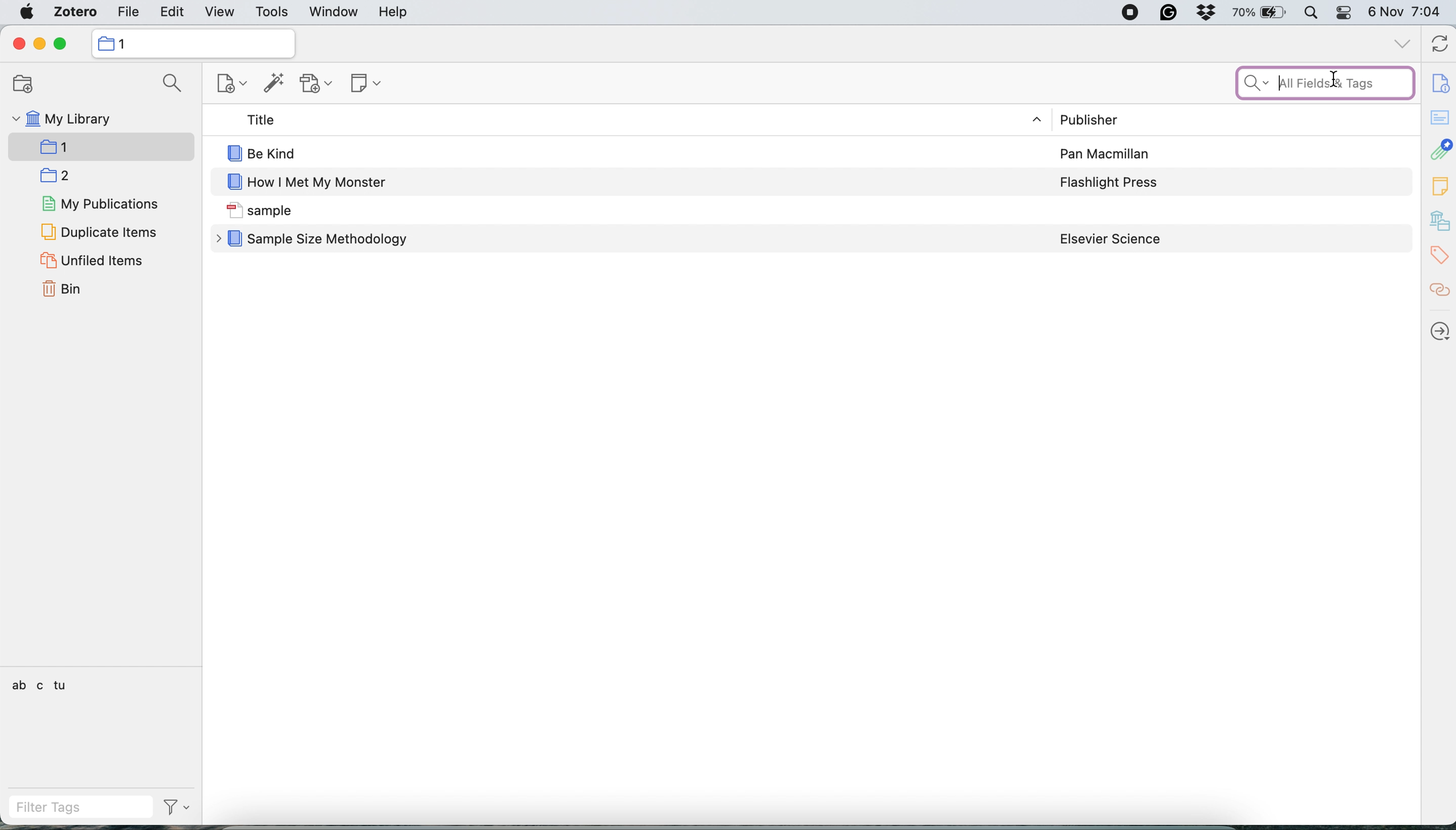 Image resolution: width=1456 pixels, height=830 pixels. What do you see at coordinates (320, 184) in the screenshot?
I see `How | Met My Monster` at bounding box center [320, 184].